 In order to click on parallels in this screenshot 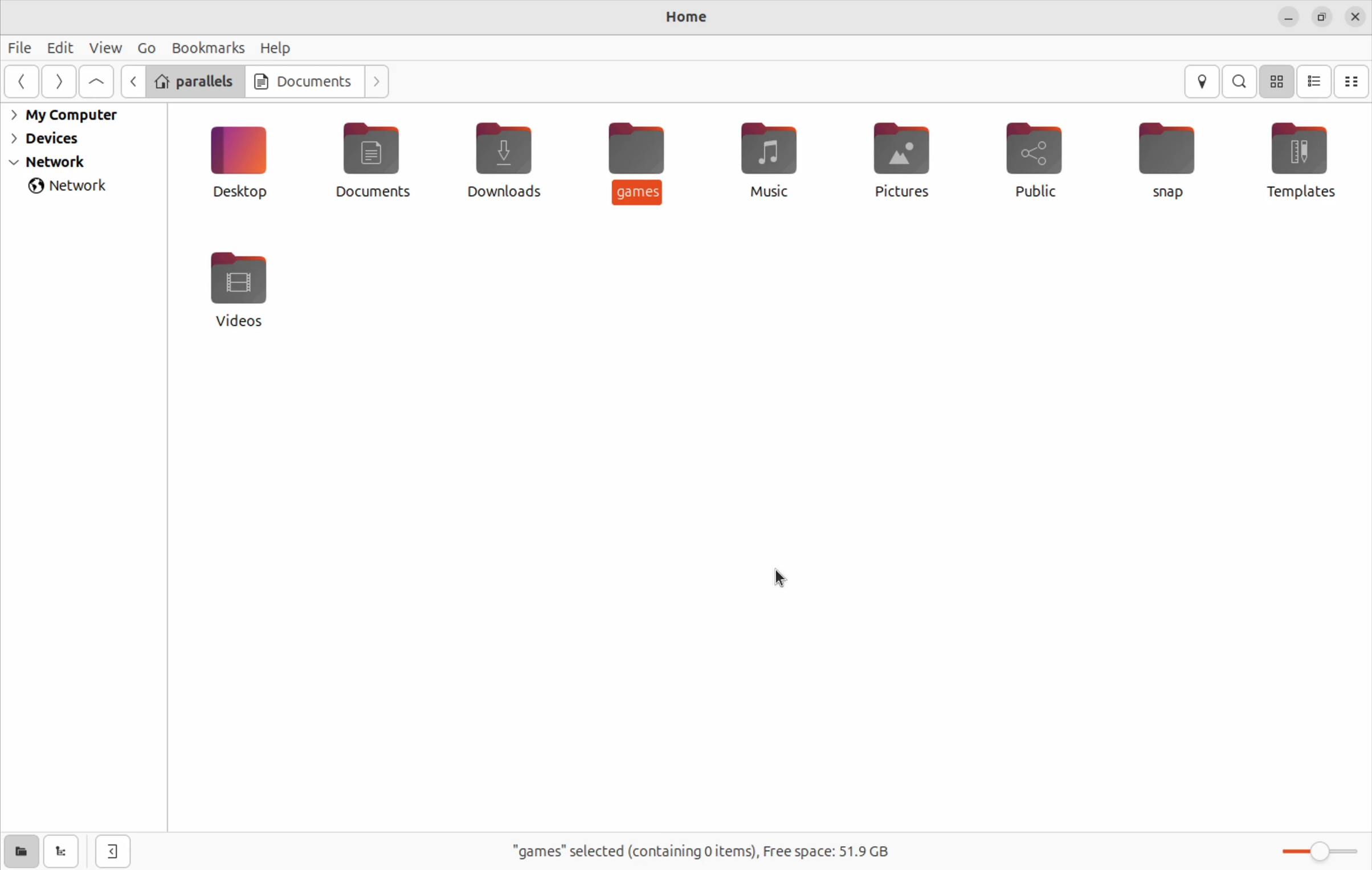, I will do `click(197, 82)`.